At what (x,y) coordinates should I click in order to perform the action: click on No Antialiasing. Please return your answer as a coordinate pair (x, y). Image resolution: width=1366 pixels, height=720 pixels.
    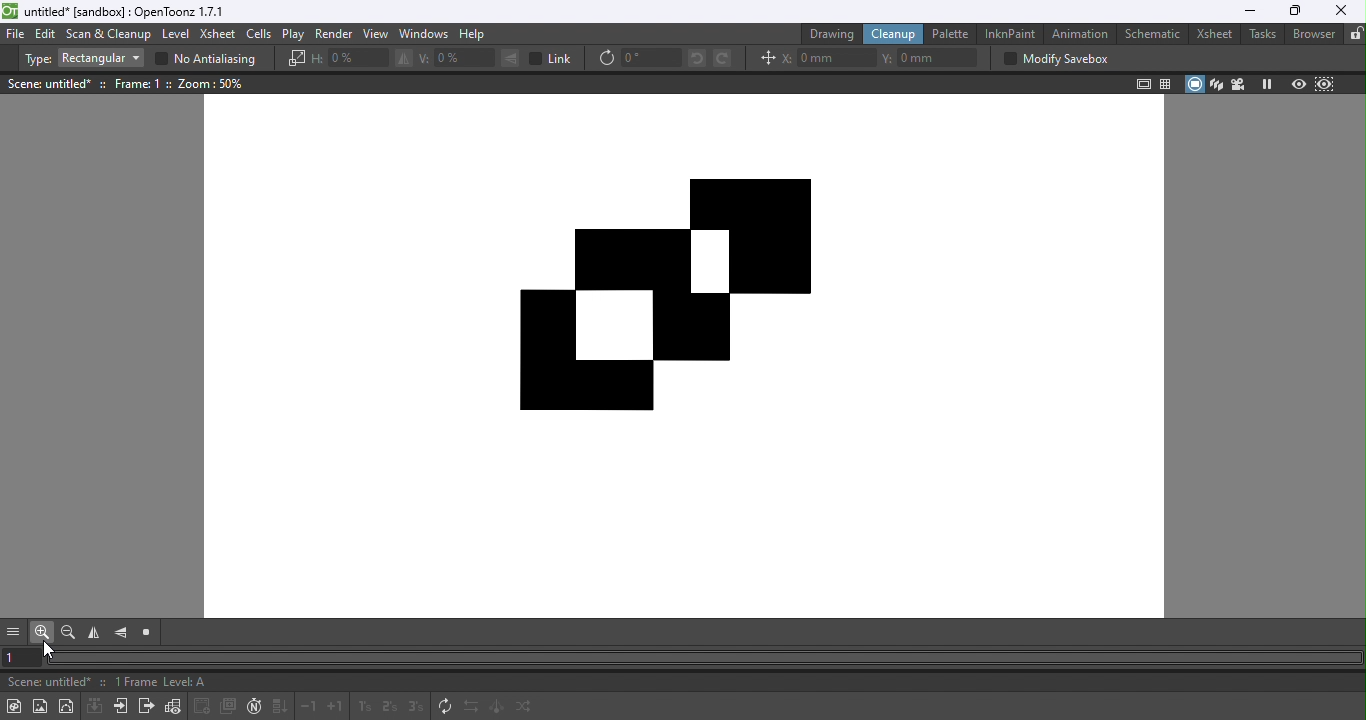
    Looking at the image, I should click on (211, 60).